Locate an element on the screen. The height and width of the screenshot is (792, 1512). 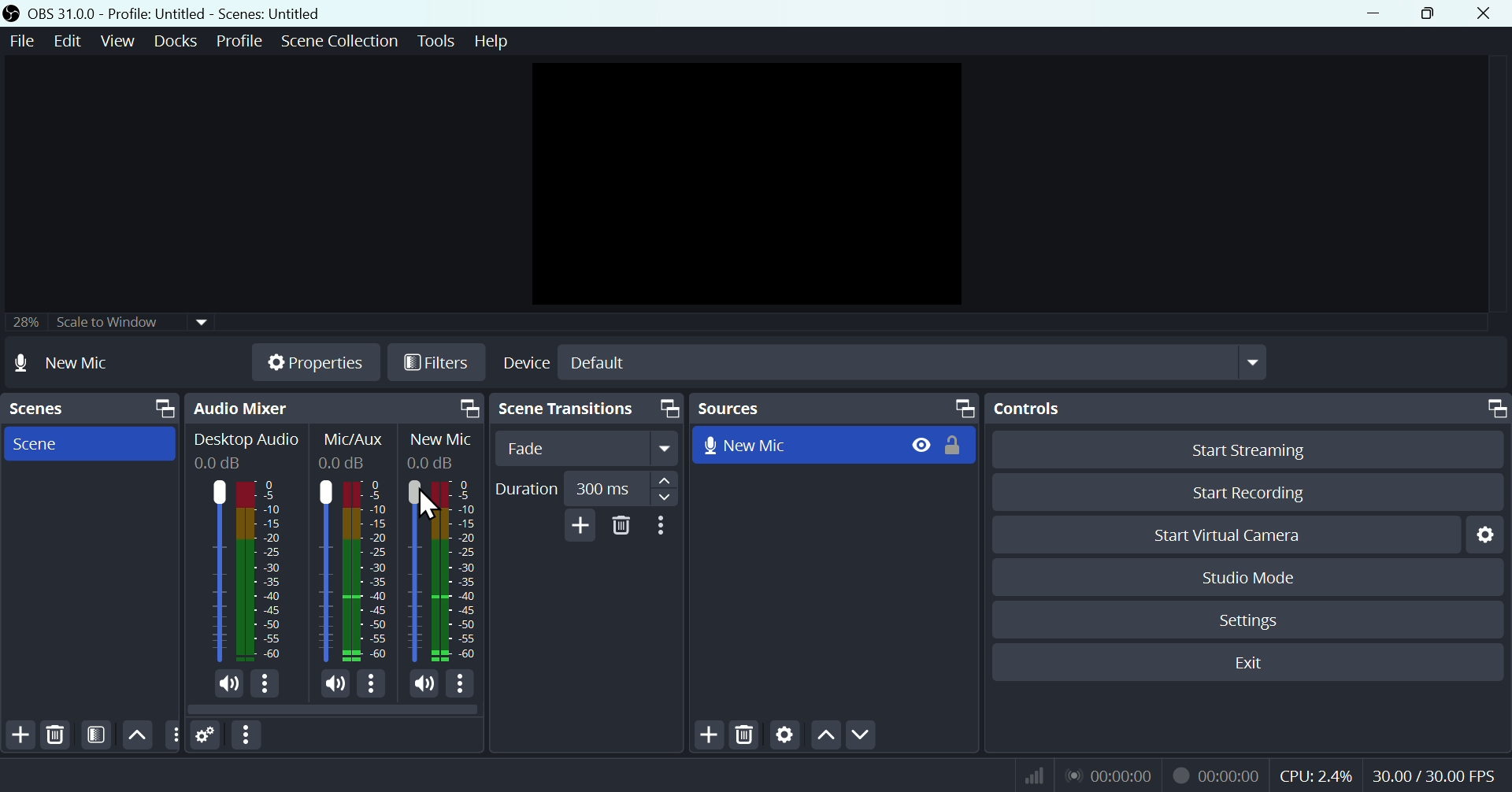
Mic is located at coordinates (461, 568).